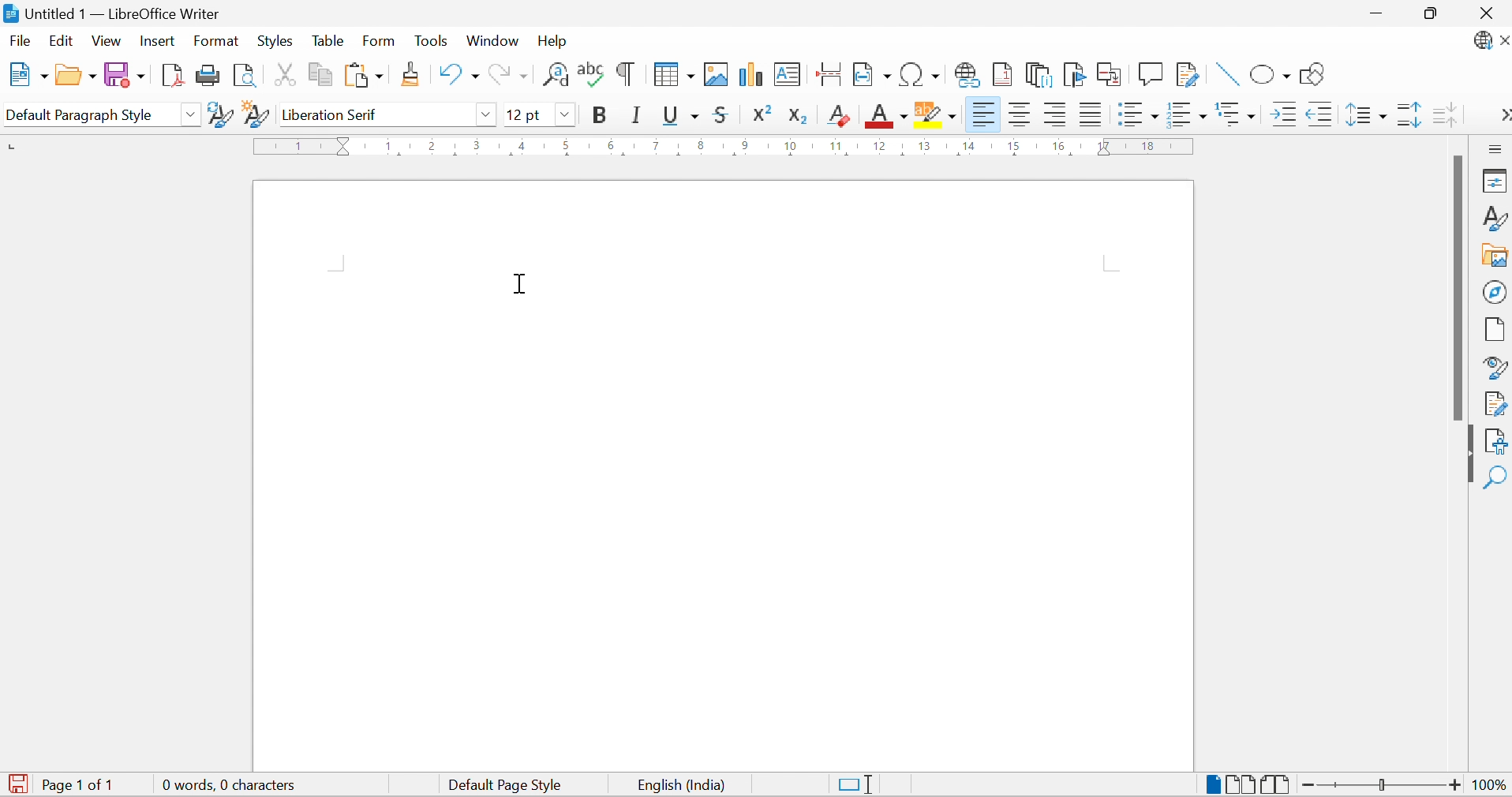  Describe the element at coordinates (1495, 291) in the screenshot. I see `Navigator` at that location.